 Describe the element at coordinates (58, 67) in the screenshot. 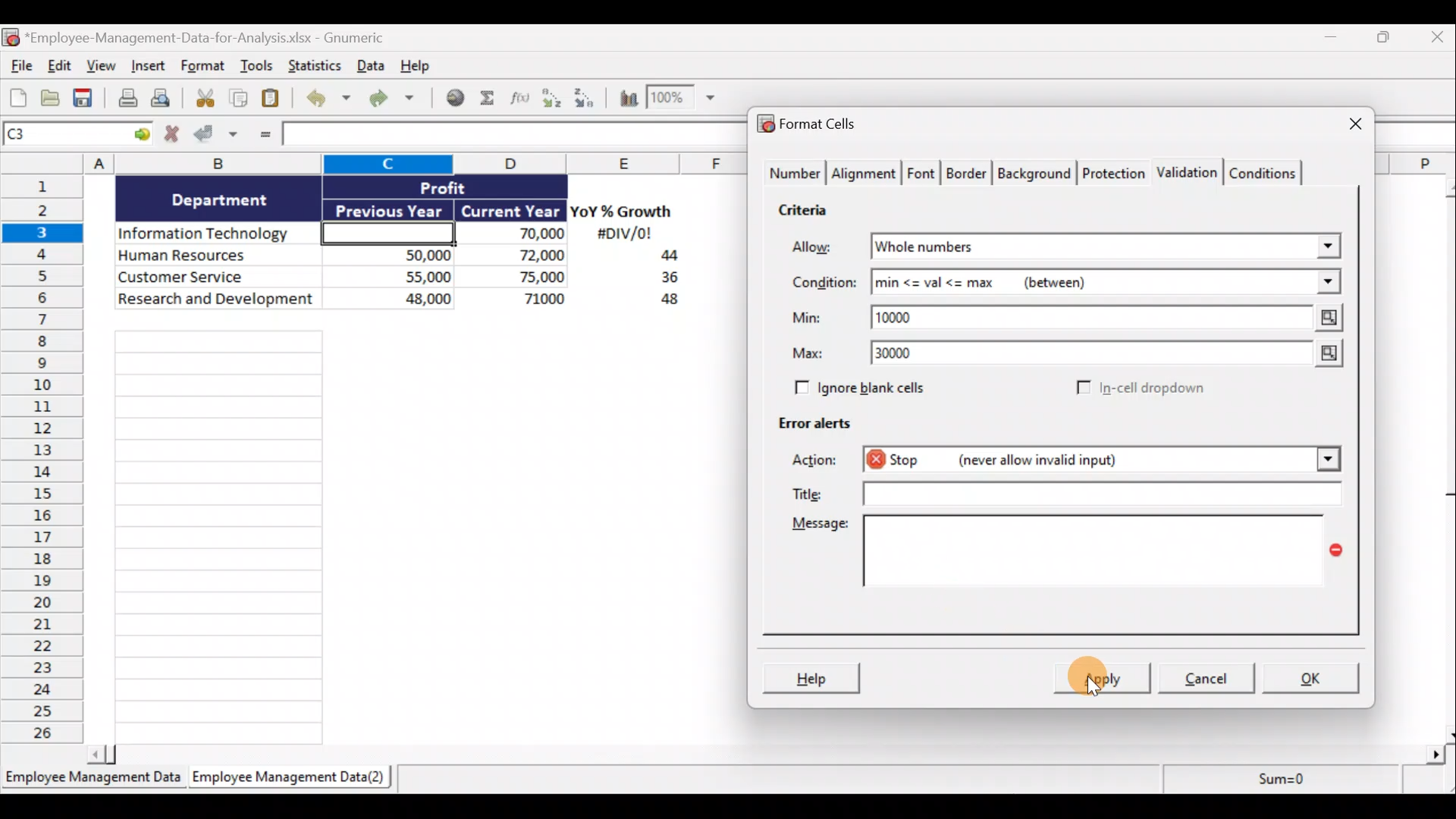

I see `Edit` at that location.